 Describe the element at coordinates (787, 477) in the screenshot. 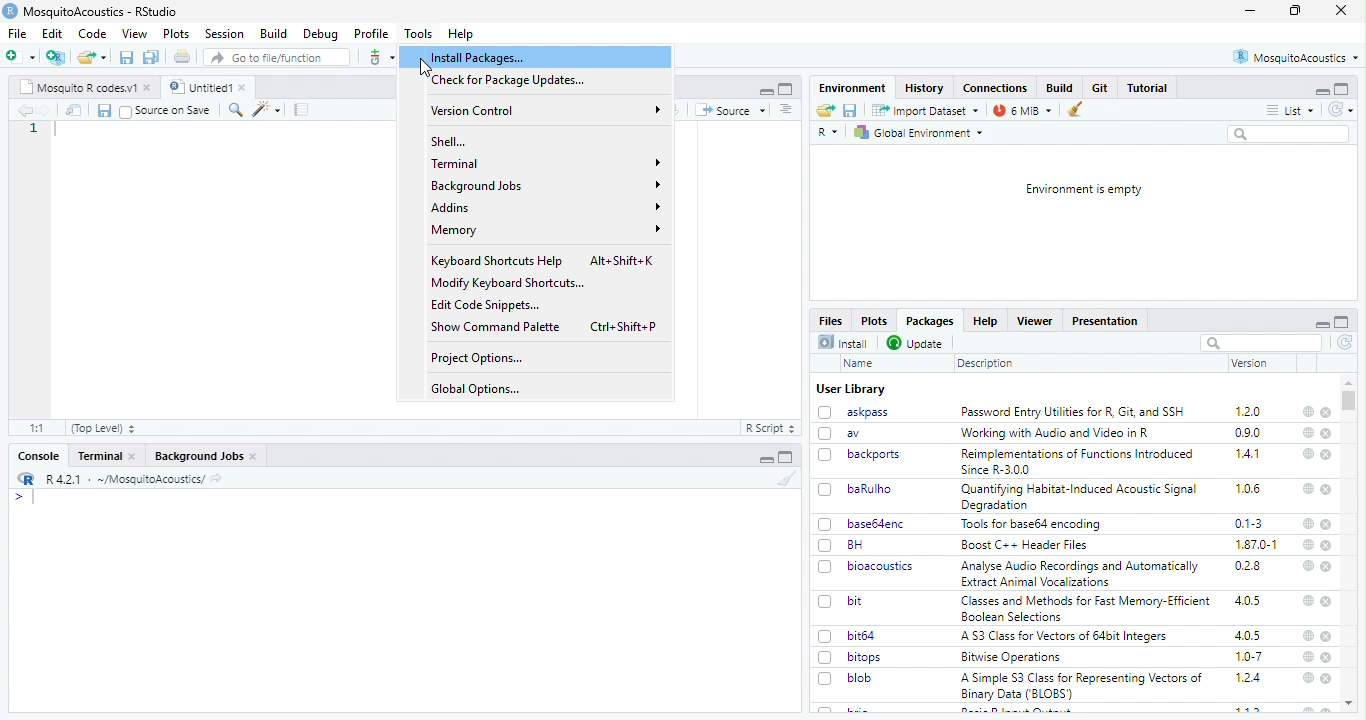

I see `clean` at that location.